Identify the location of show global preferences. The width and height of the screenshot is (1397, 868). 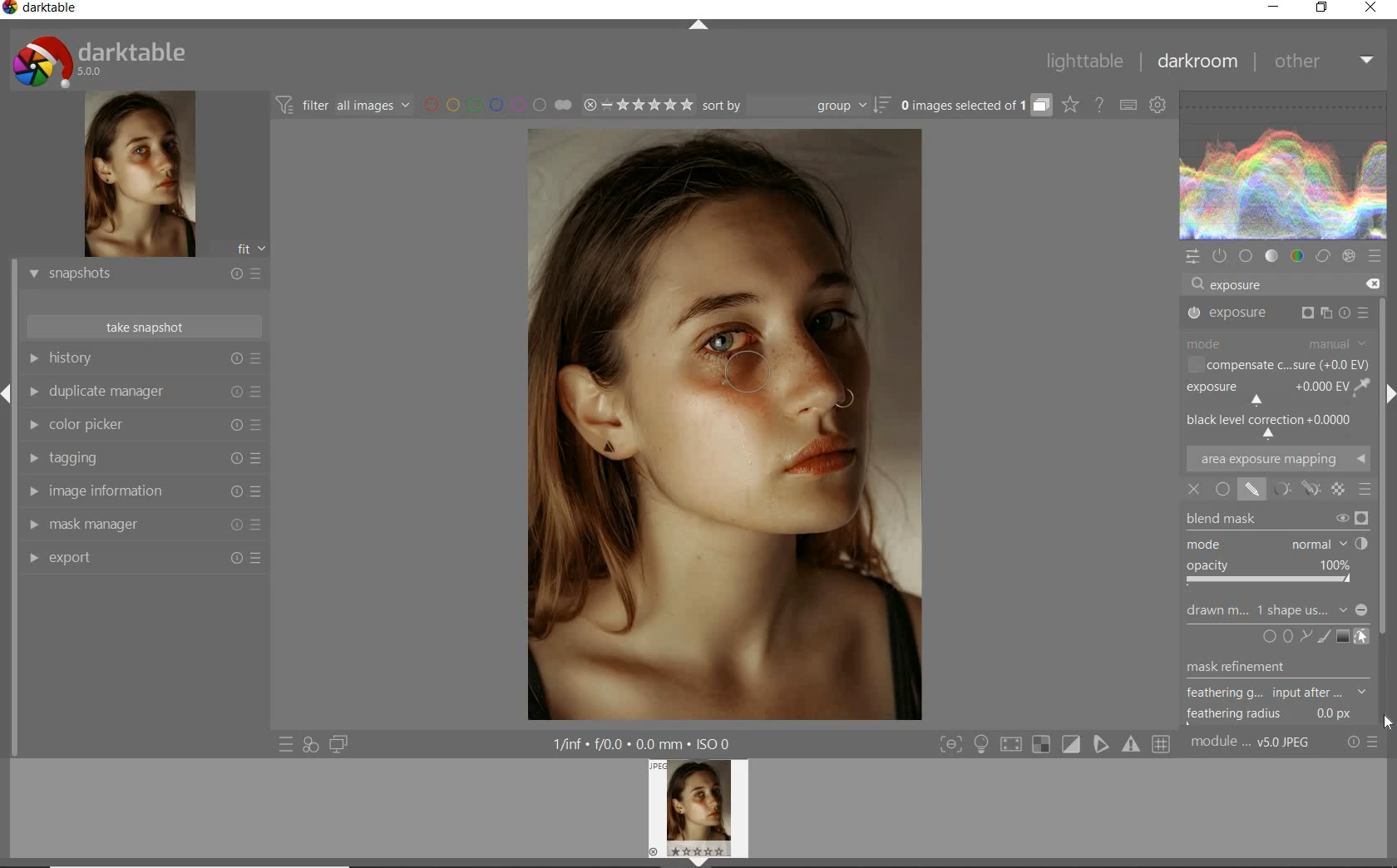
(1158, 106).